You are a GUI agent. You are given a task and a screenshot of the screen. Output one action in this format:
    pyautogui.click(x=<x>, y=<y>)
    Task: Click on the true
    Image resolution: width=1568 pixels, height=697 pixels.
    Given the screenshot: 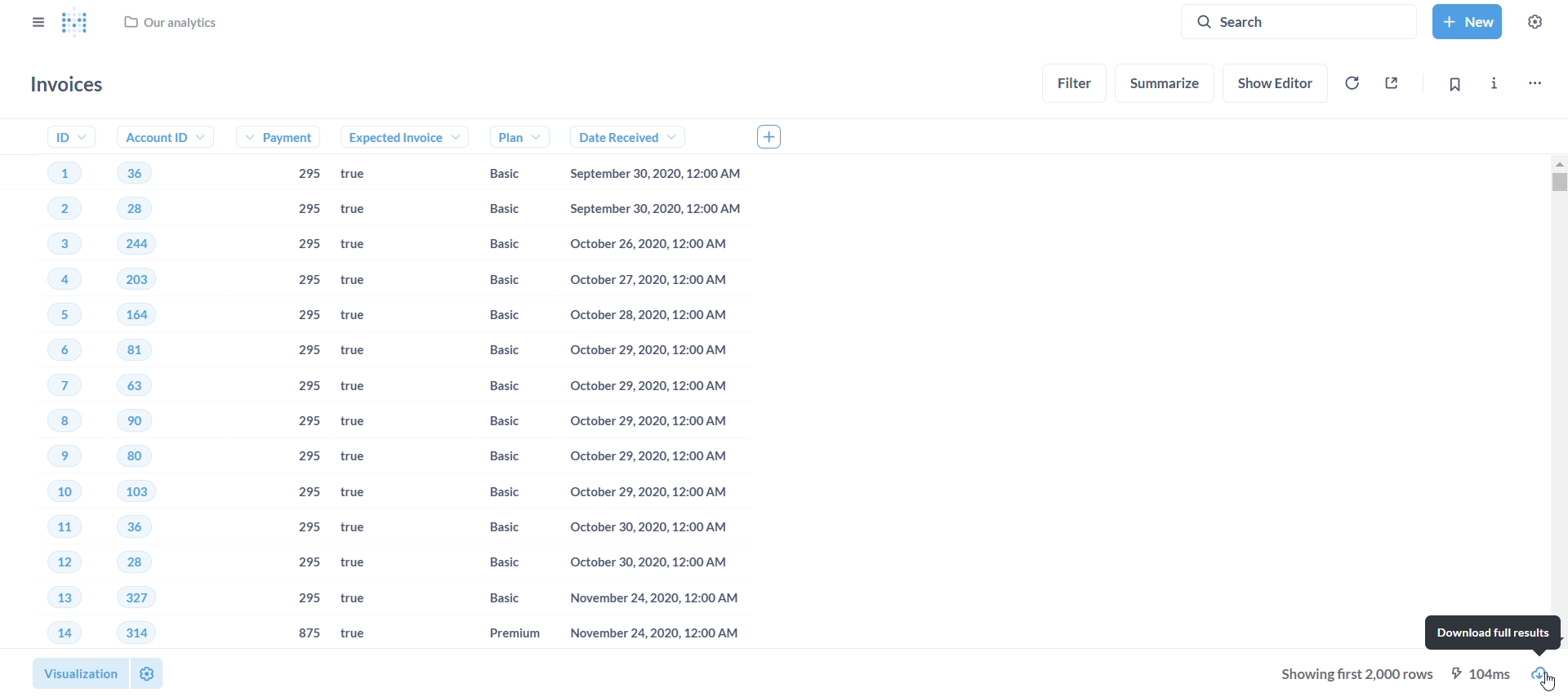 What is the action you would take?
    pyautogui.click(x=369, y=175)
    